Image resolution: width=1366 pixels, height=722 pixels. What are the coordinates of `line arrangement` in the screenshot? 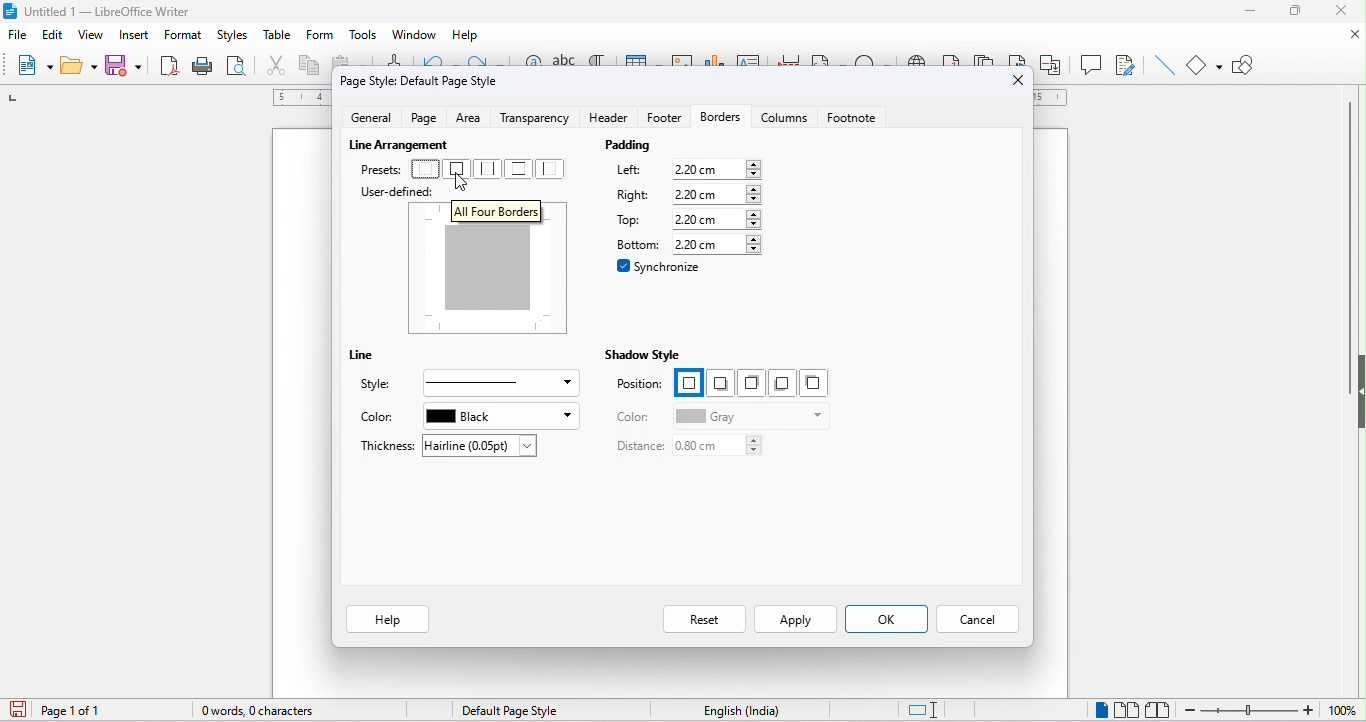 It's located at (397, 143).